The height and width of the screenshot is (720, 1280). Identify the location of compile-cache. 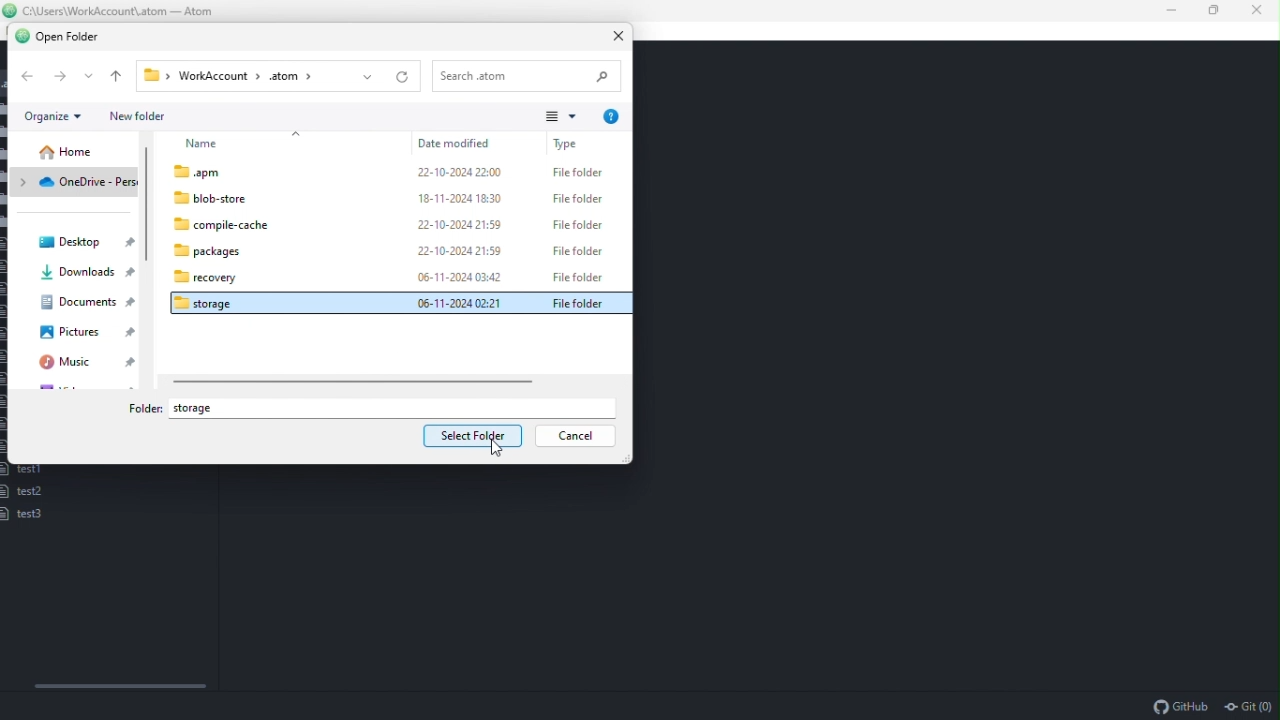
(390, 225).